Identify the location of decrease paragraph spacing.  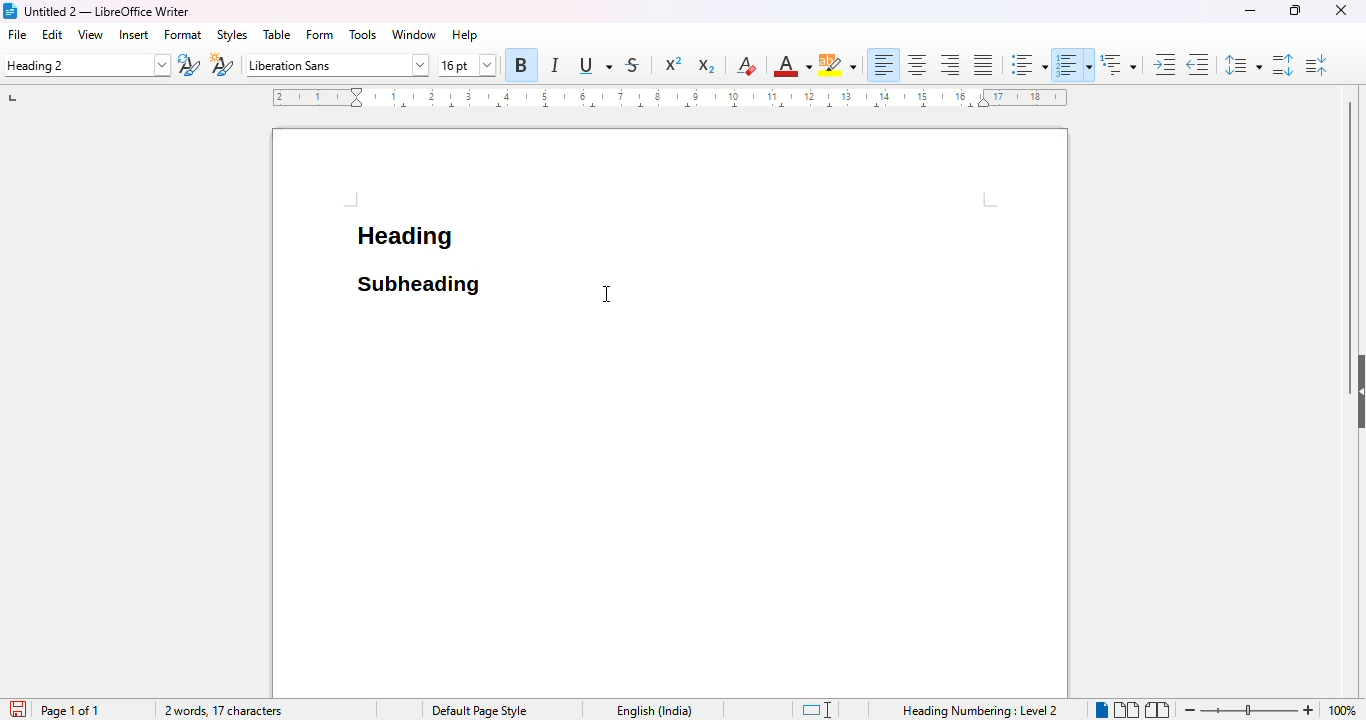
(1316, 65).